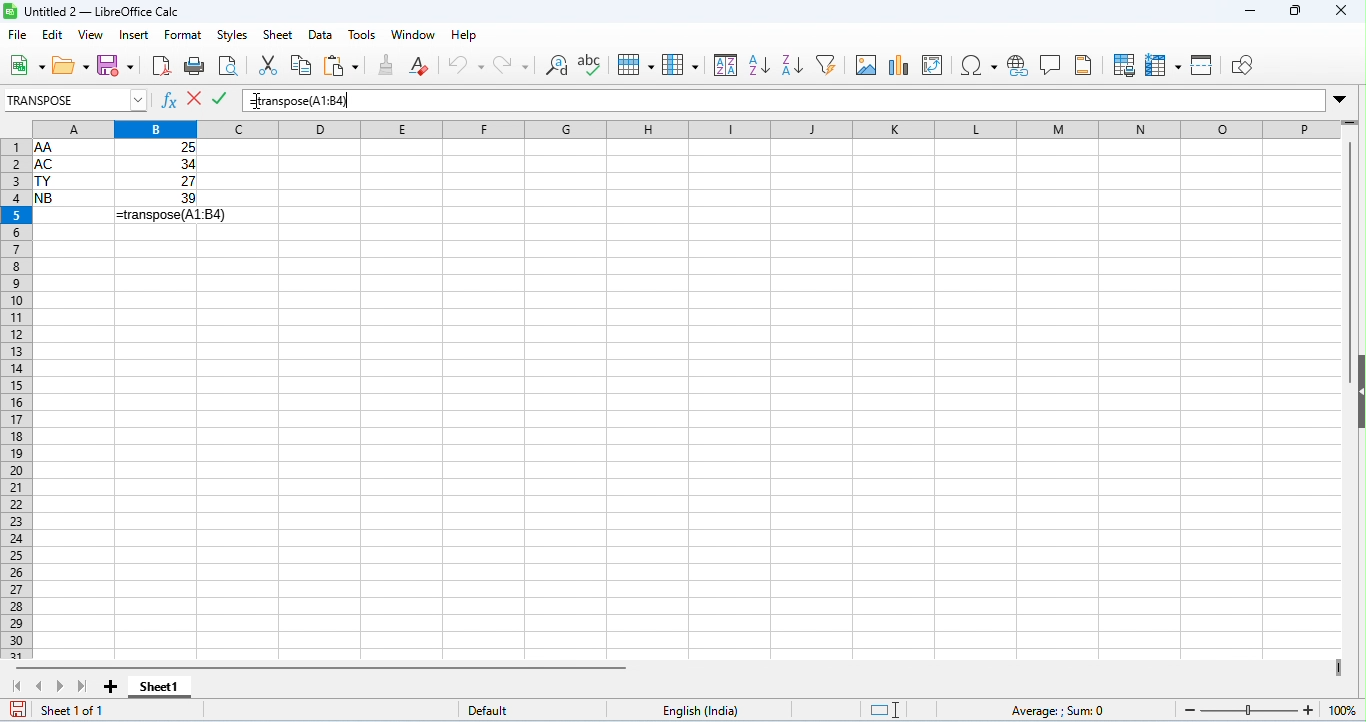  Describe the element at coordinates (19, 36) in the screenshot. I see `file` at that location.